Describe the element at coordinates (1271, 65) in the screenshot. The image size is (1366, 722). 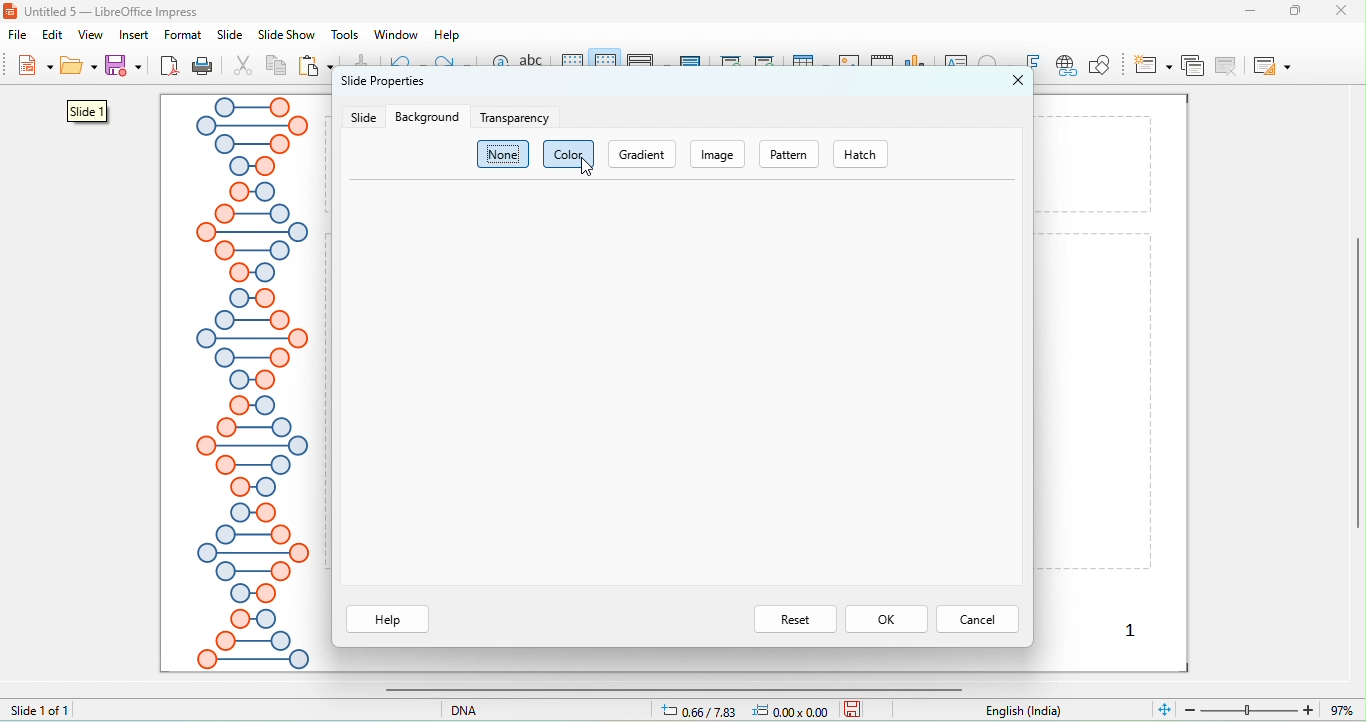
I see `slide layout` at that location.